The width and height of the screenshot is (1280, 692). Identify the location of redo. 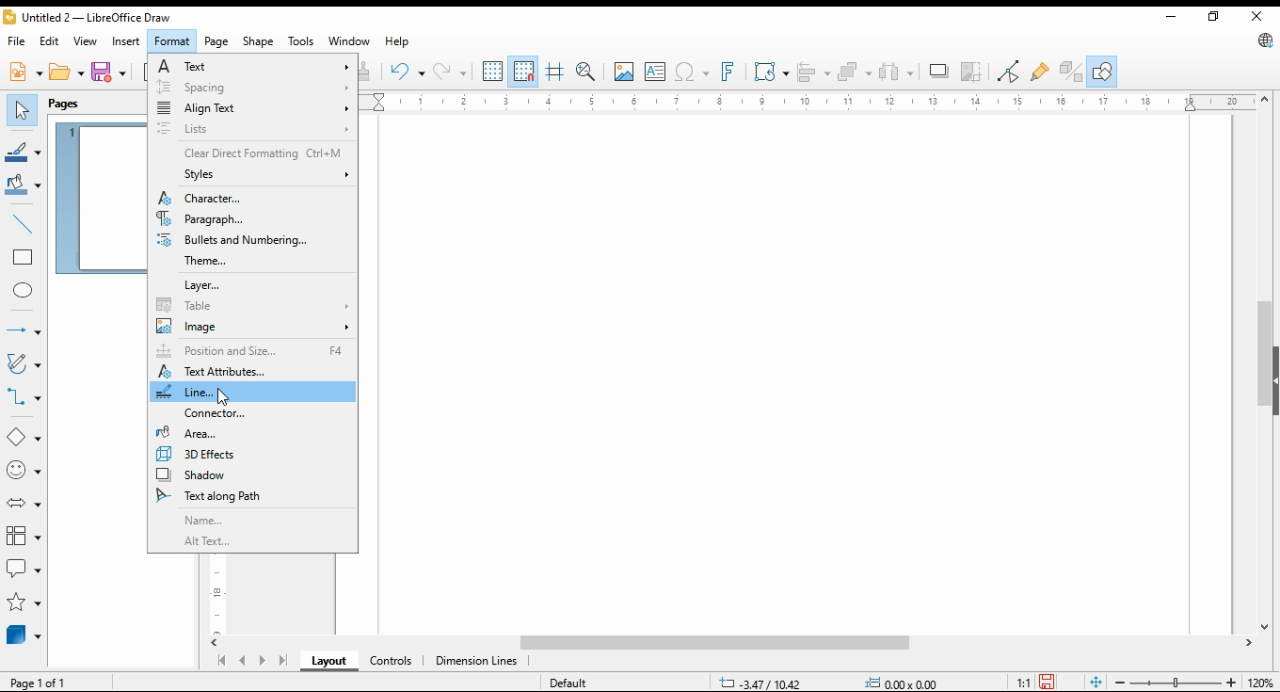
(449, 71).